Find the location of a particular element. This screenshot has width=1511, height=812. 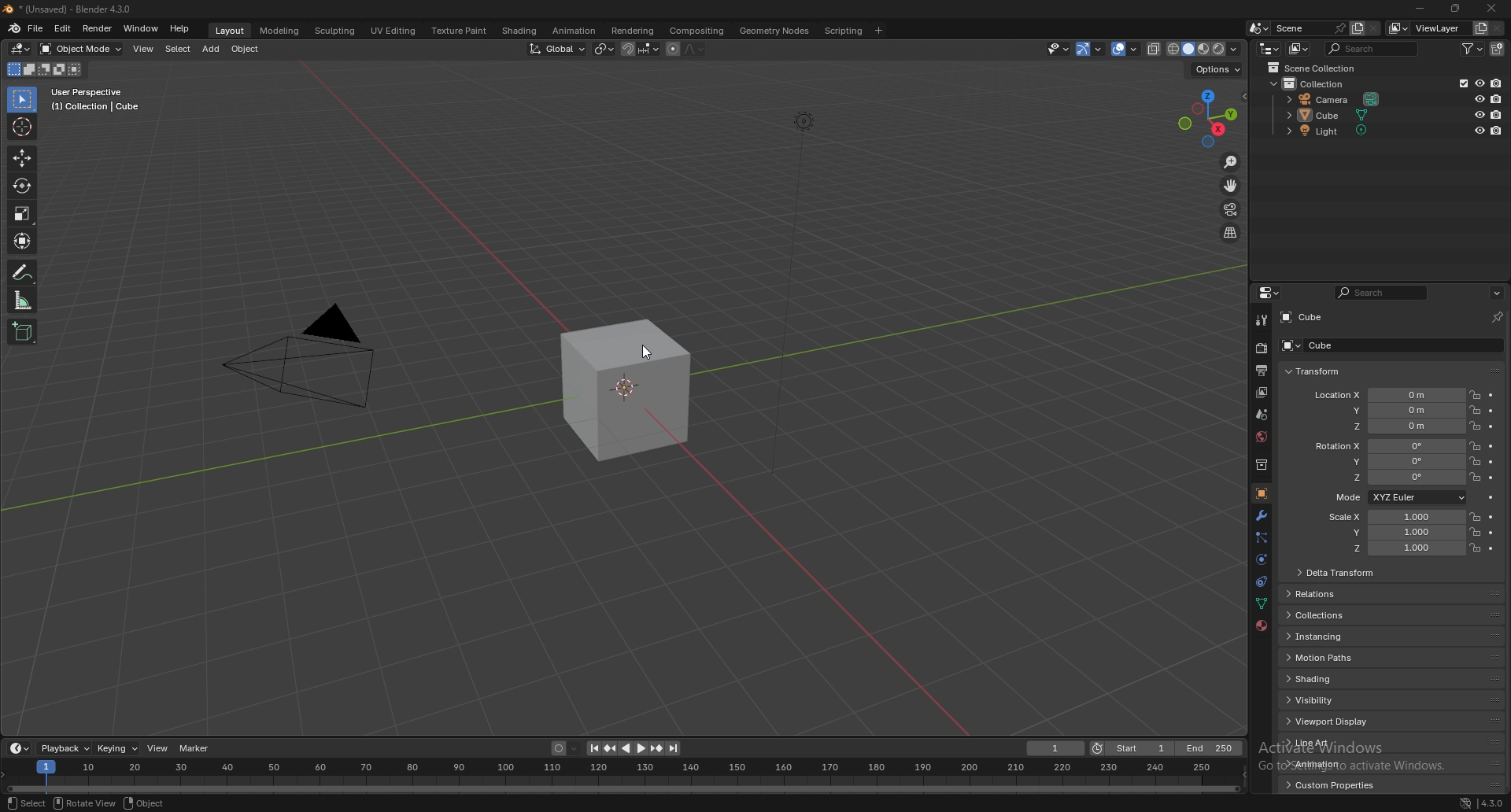

shading is located at coordinates (521, 30).